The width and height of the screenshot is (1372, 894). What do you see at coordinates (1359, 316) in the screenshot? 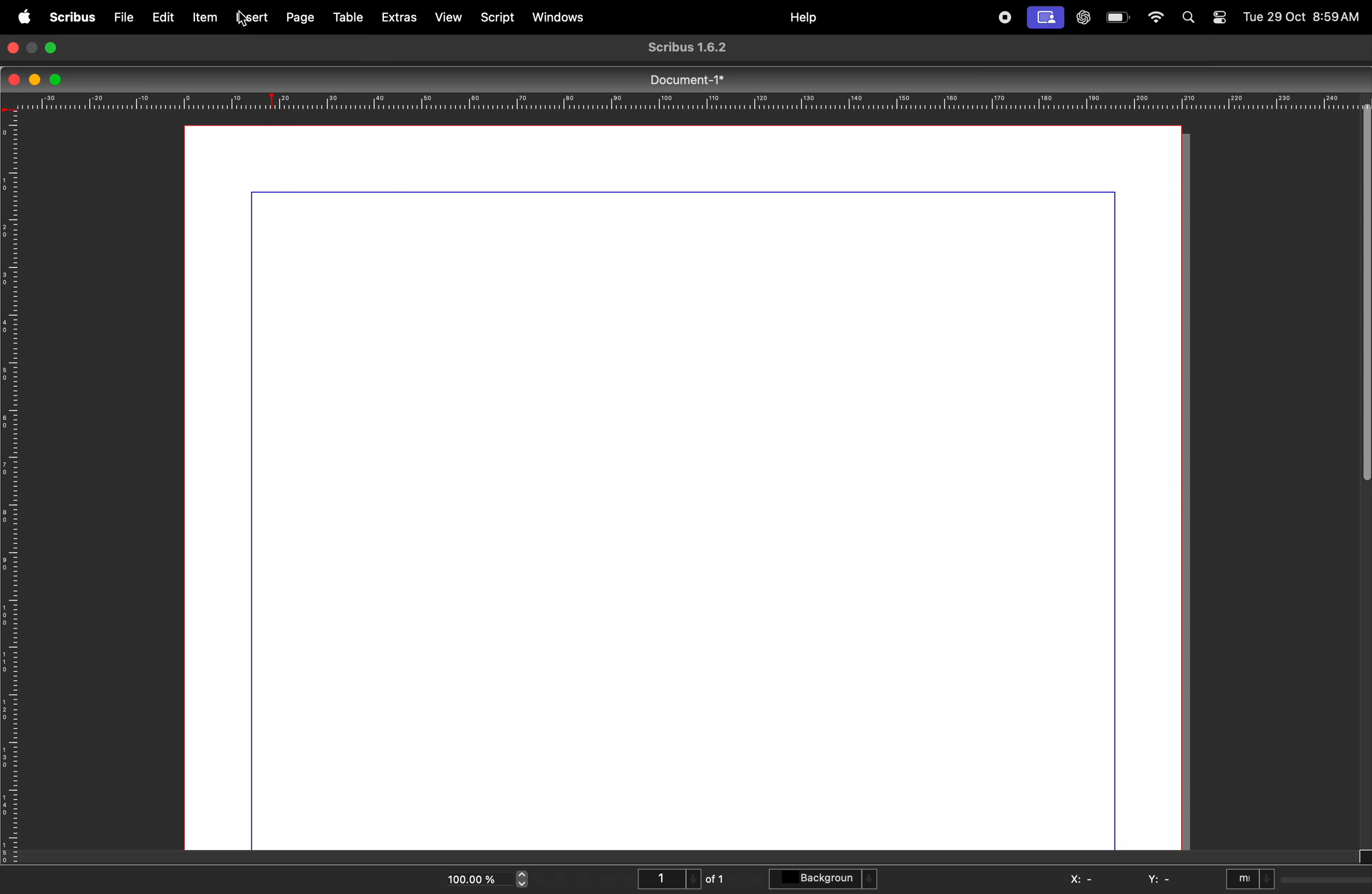
I see `verticle sidebar` at bounding box center [1359, 316].